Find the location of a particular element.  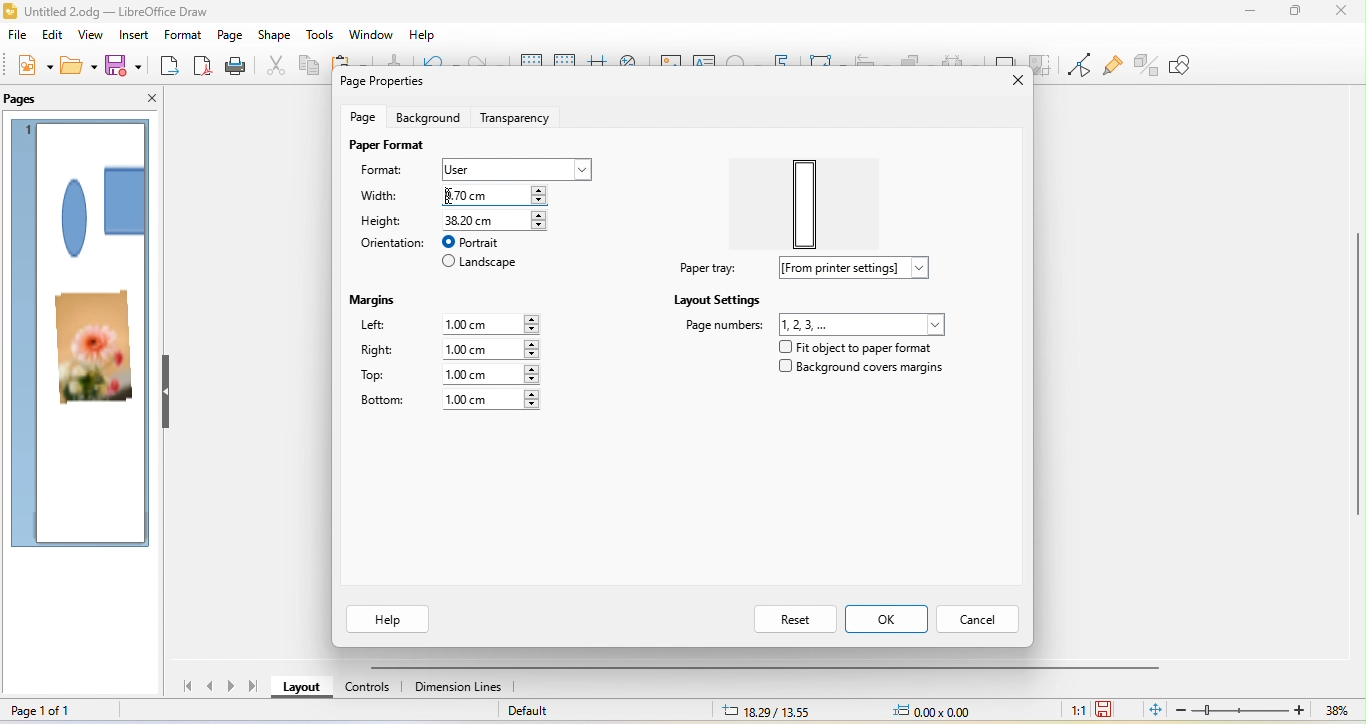

cut is located at coordinates (279, 68).